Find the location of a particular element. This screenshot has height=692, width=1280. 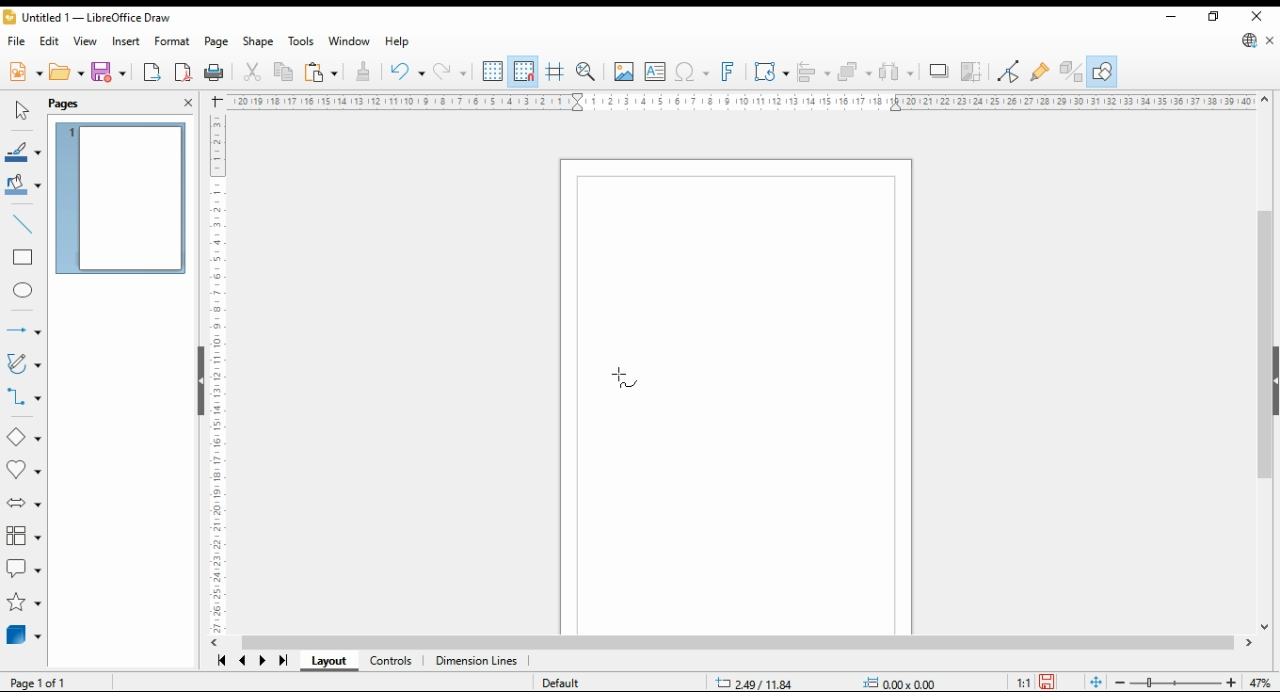

open textbox is located at coordinates (656, 72).